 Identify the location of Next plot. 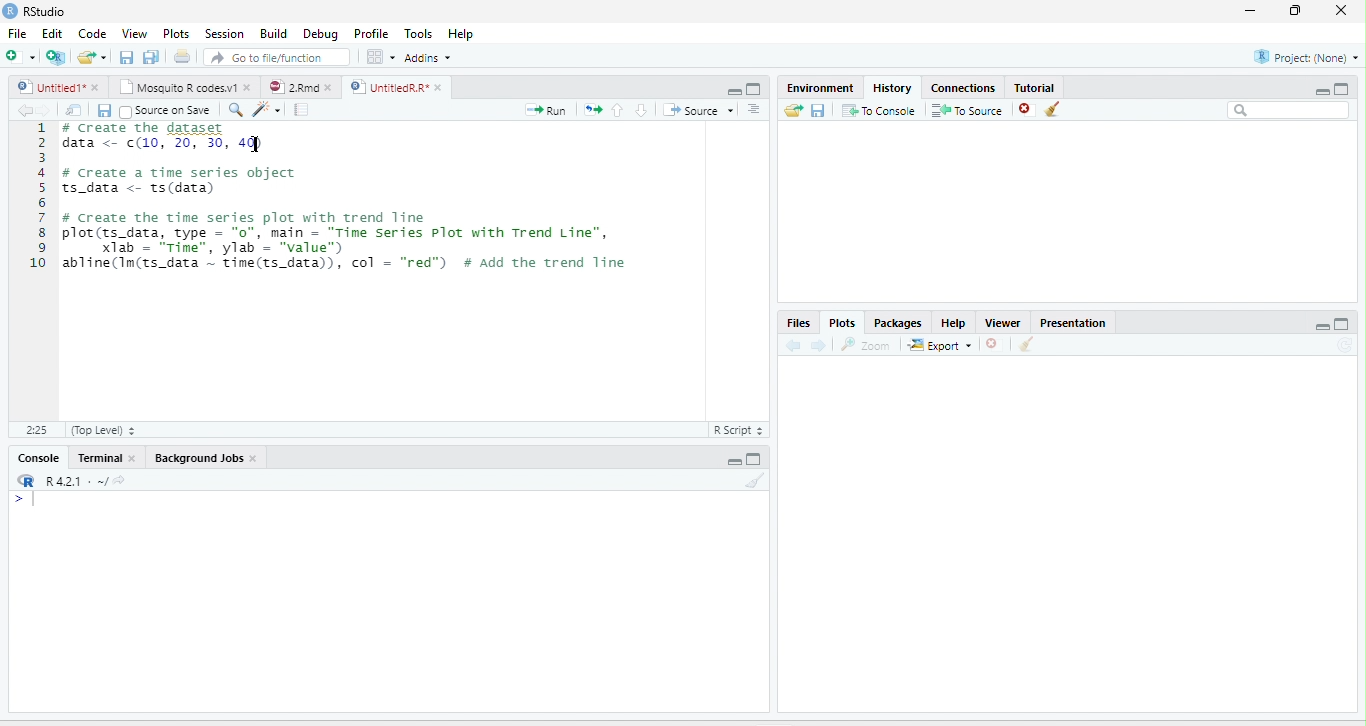
(818, 345).